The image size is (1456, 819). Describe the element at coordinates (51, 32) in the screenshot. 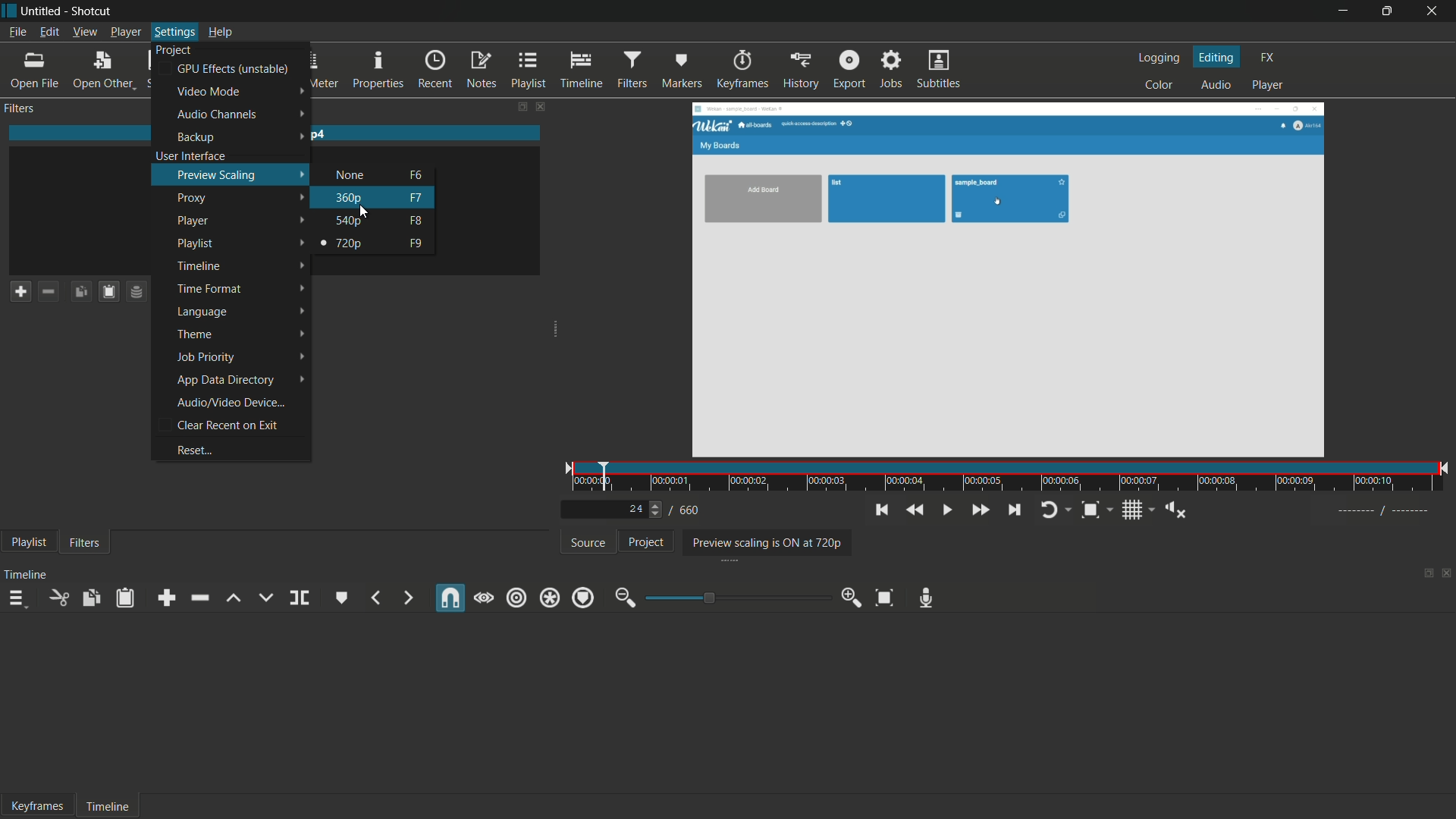

I see `edit menu` at that location.